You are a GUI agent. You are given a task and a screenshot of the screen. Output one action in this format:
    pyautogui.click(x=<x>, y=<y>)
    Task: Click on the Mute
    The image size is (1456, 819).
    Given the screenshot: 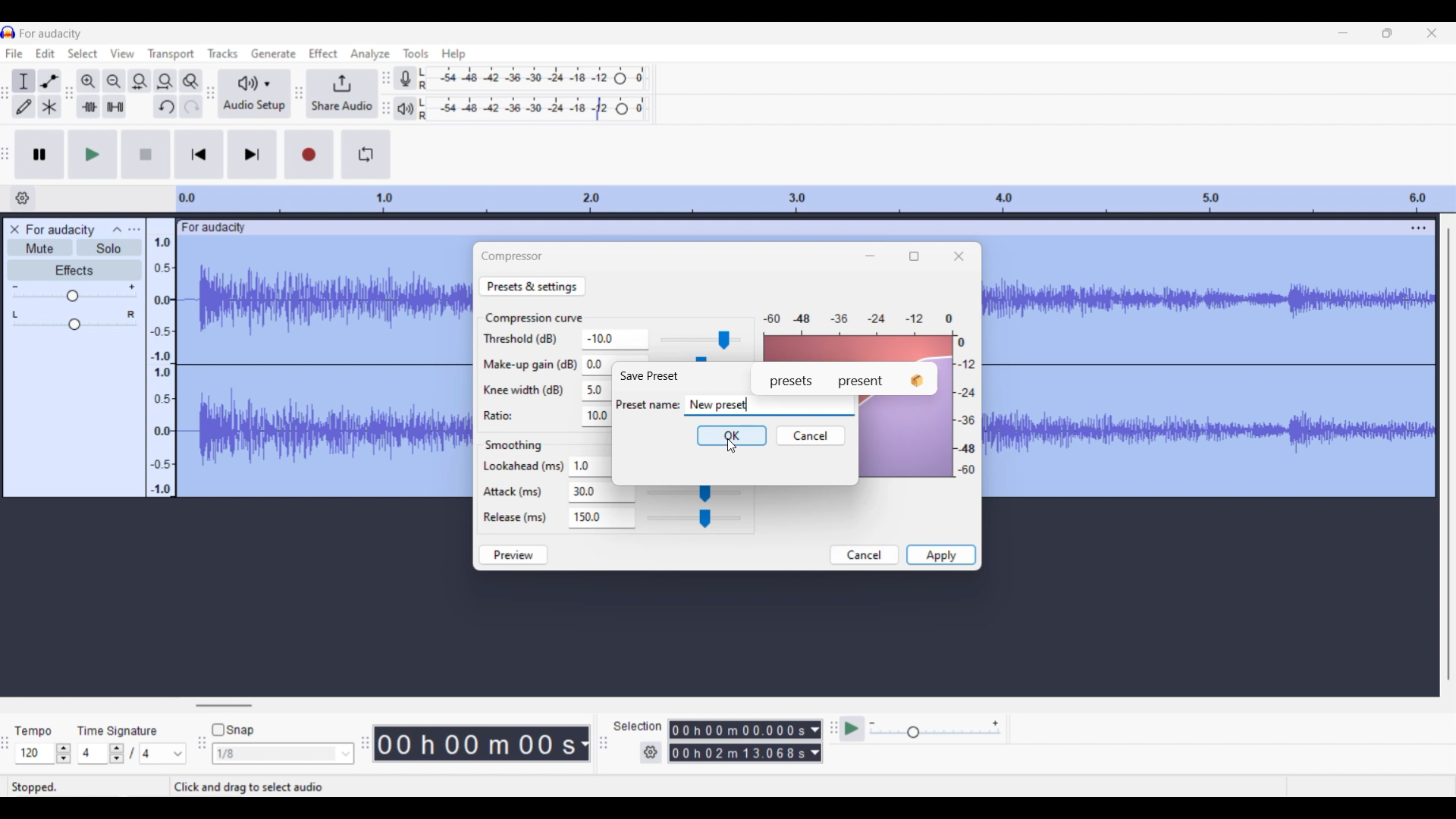 What is the action you would take?
    pyautogui.click(x=39, y=247)
    